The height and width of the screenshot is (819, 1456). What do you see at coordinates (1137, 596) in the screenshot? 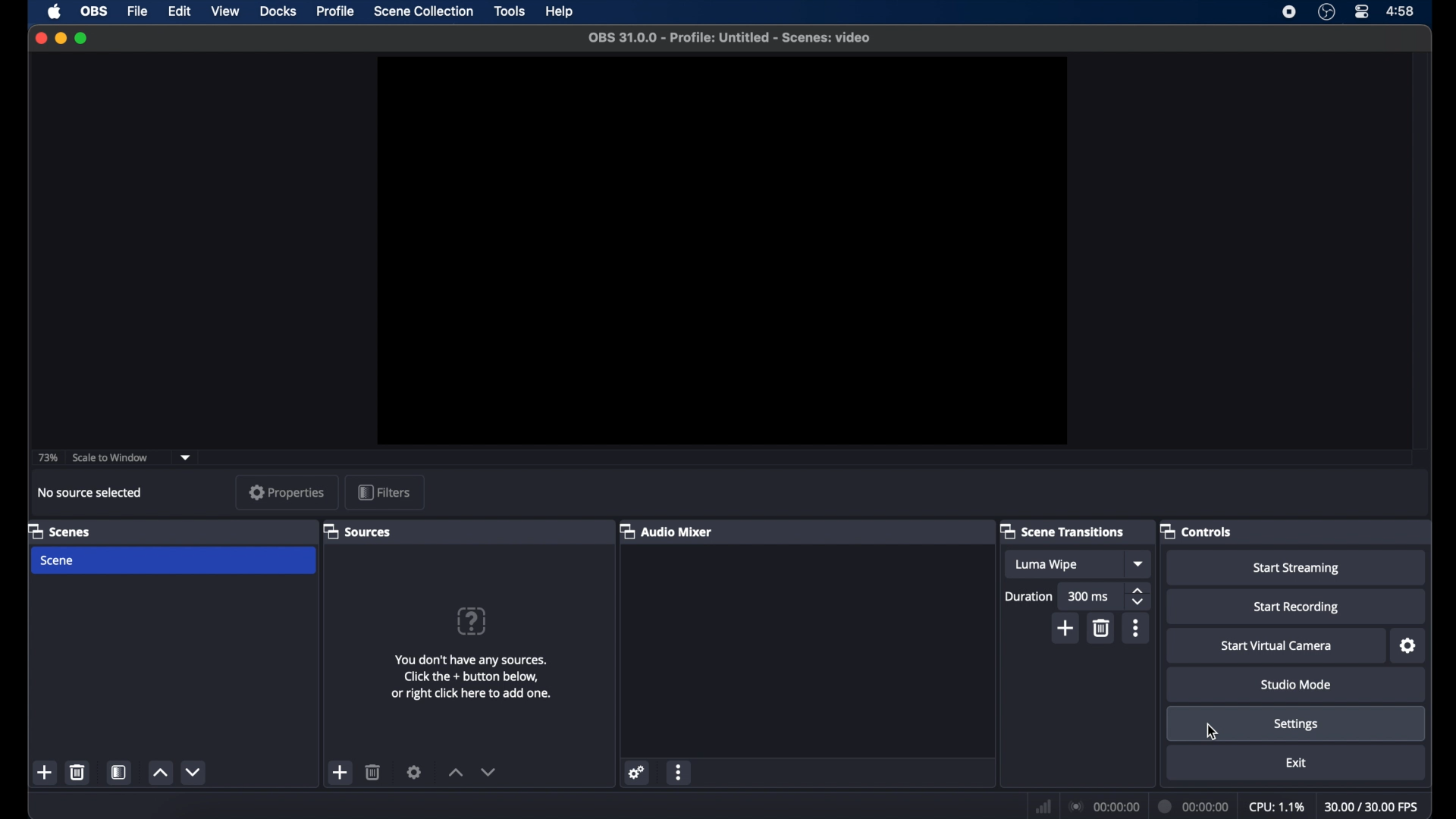
I see `stepper buttons` at bounding box center [1137, 596].